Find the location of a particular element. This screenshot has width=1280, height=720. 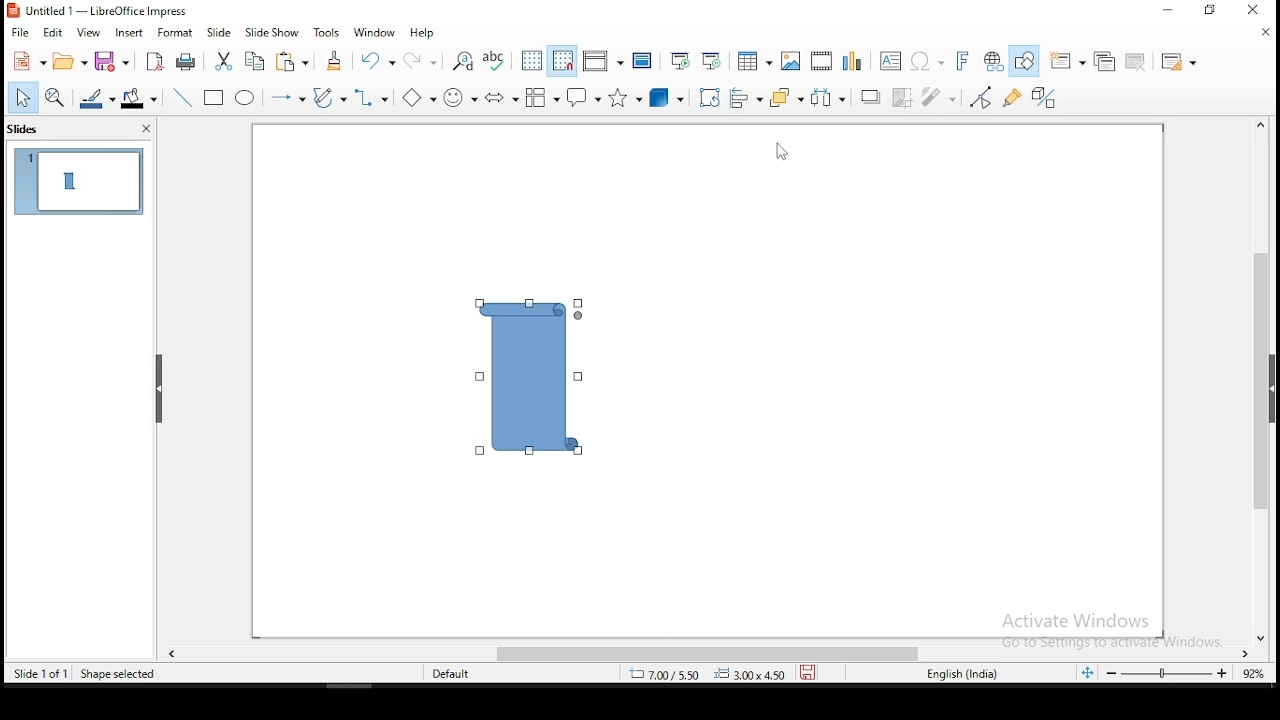

line is located at coordinates (181, 98).